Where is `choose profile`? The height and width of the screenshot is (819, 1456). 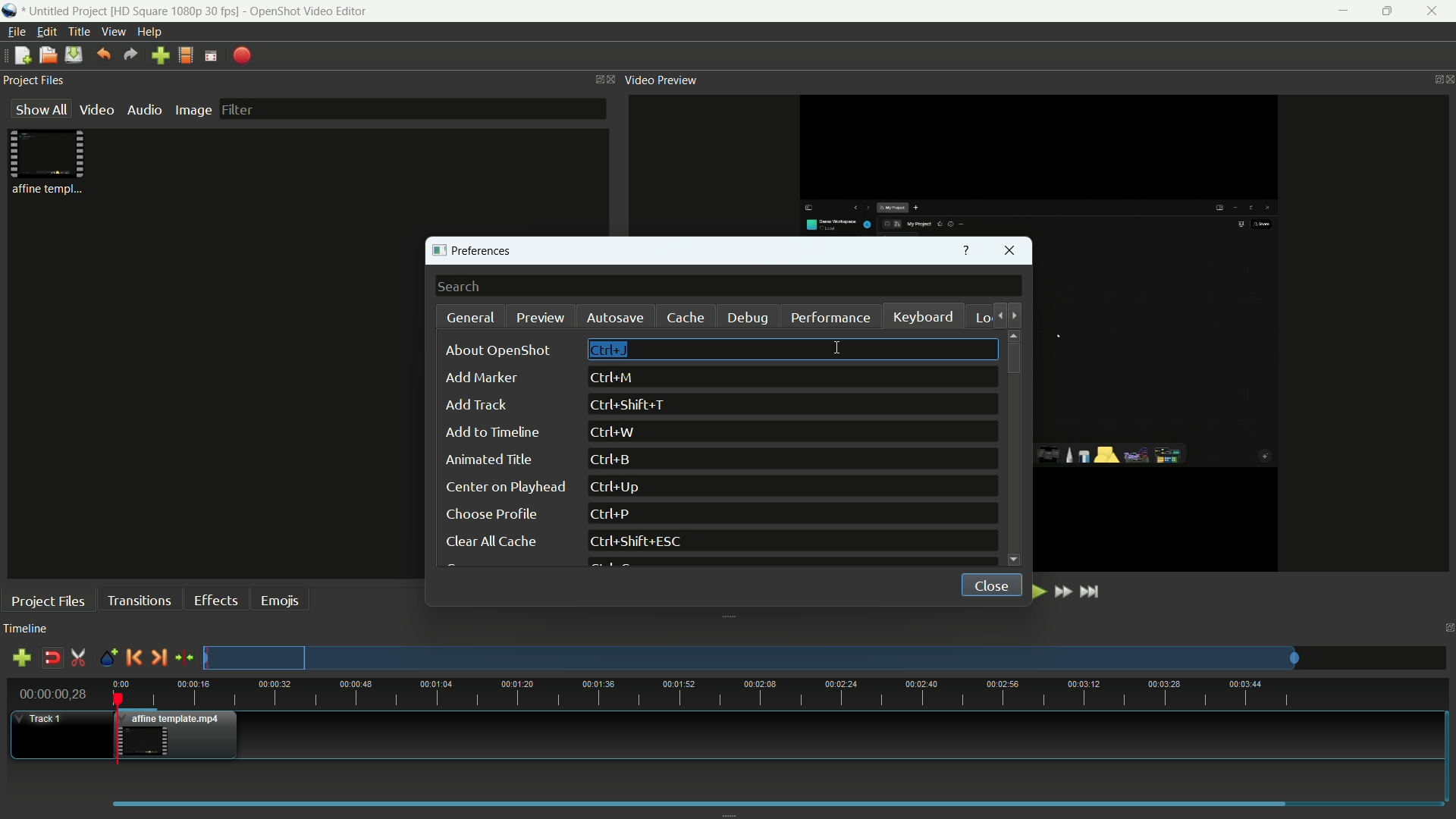 choose profile is located at coordinates (491, 514).